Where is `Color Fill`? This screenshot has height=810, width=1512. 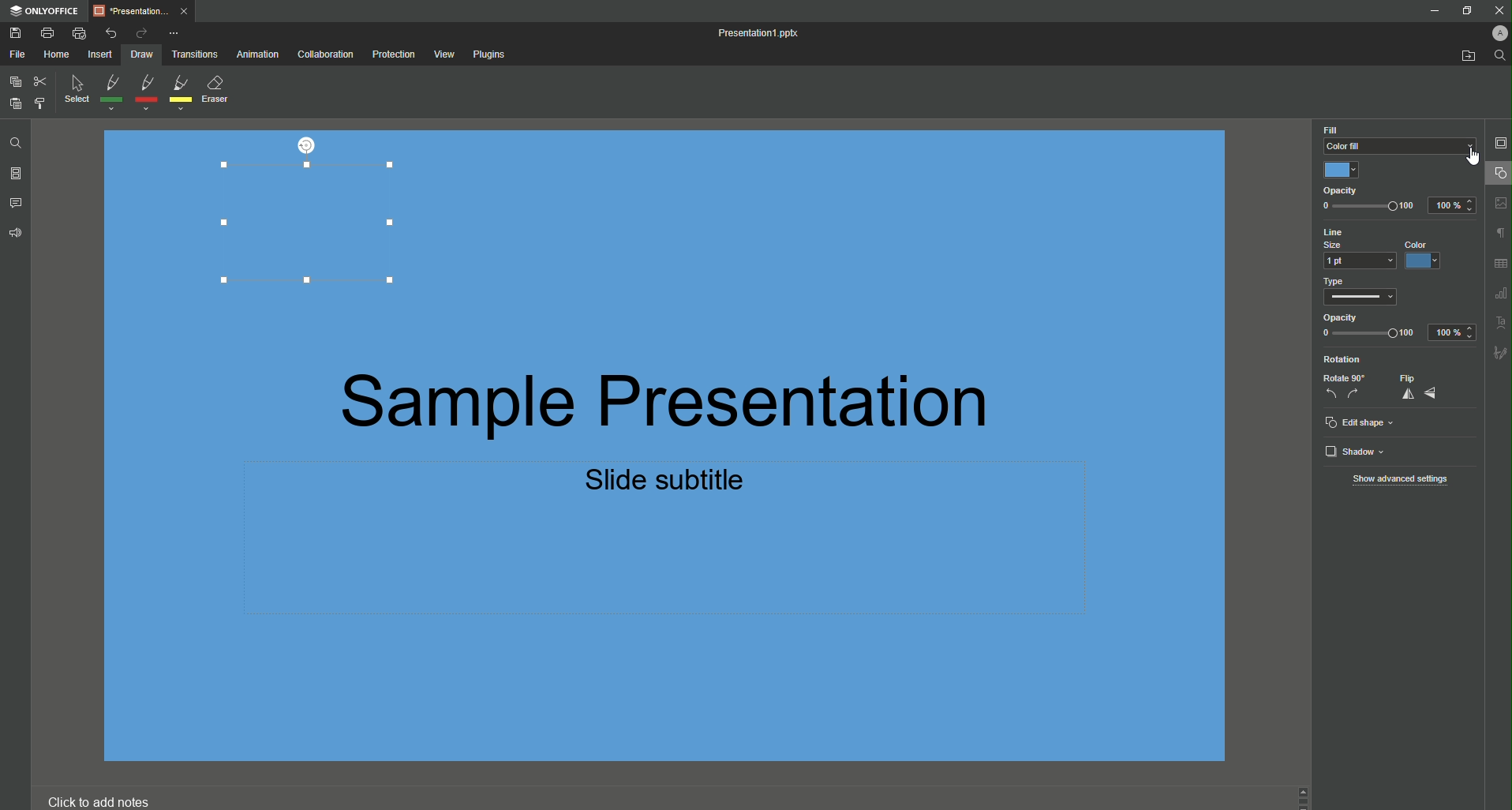
Color Fill is located at coordinates (1400, 139).